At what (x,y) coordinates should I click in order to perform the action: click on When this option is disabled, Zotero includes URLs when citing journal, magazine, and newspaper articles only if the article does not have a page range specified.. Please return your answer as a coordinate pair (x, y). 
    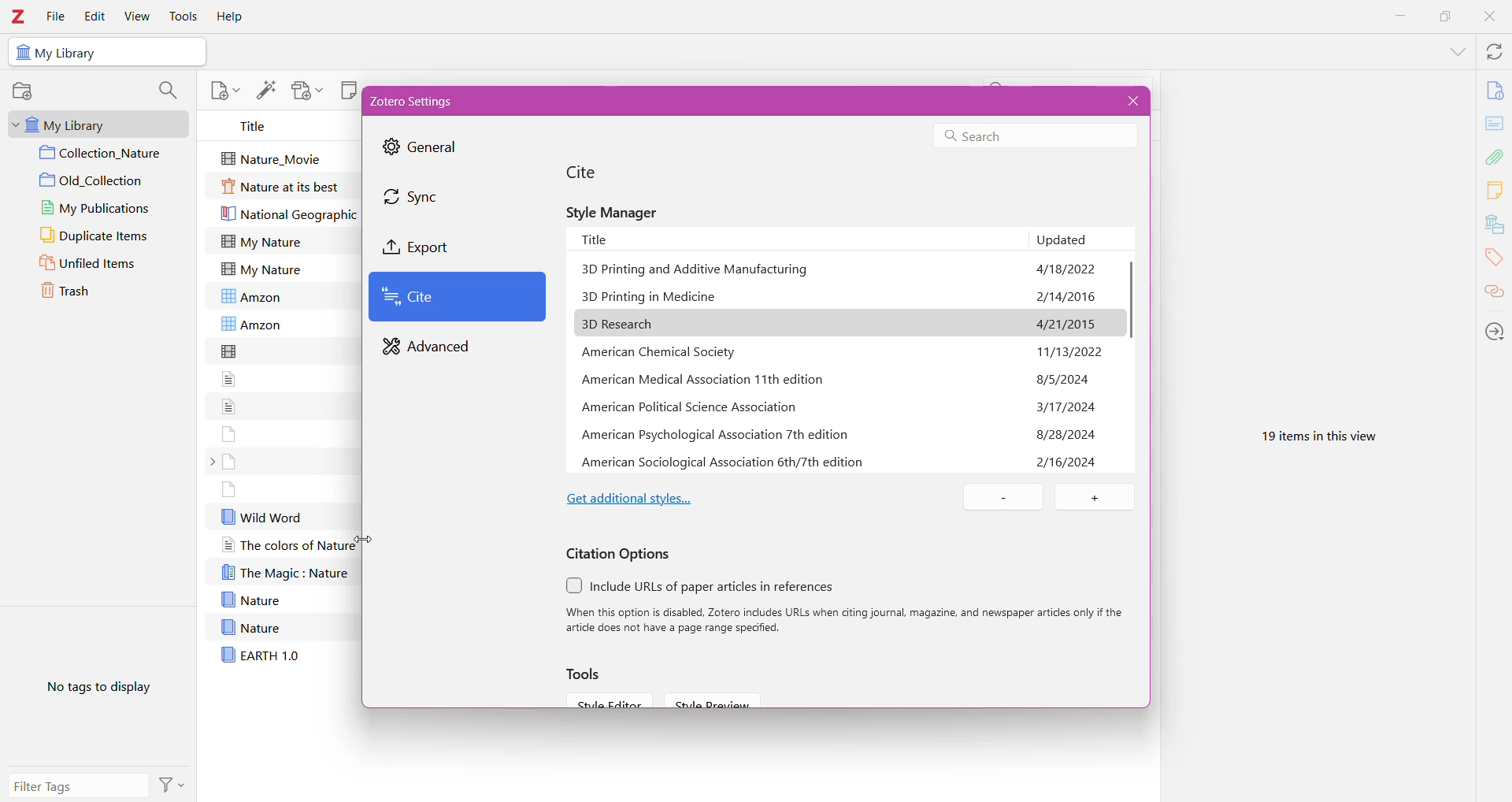
    Looking at the image, I should click on (847, 621).